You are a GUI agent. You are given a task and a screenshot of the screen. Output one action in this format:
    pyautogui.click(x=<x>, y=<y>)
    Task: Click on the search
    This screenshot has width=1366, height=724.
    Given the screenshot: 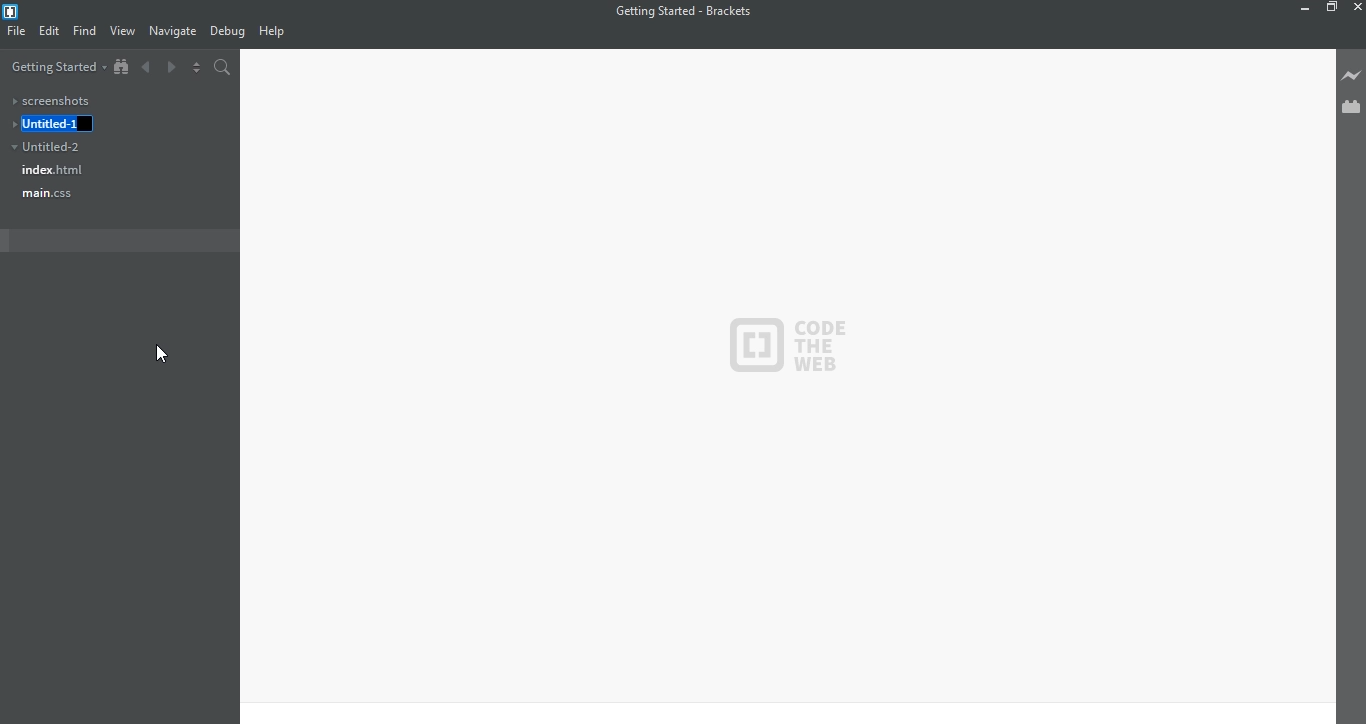 What is the action you would take?
    pyautogui.click(x=222, y=67)
    